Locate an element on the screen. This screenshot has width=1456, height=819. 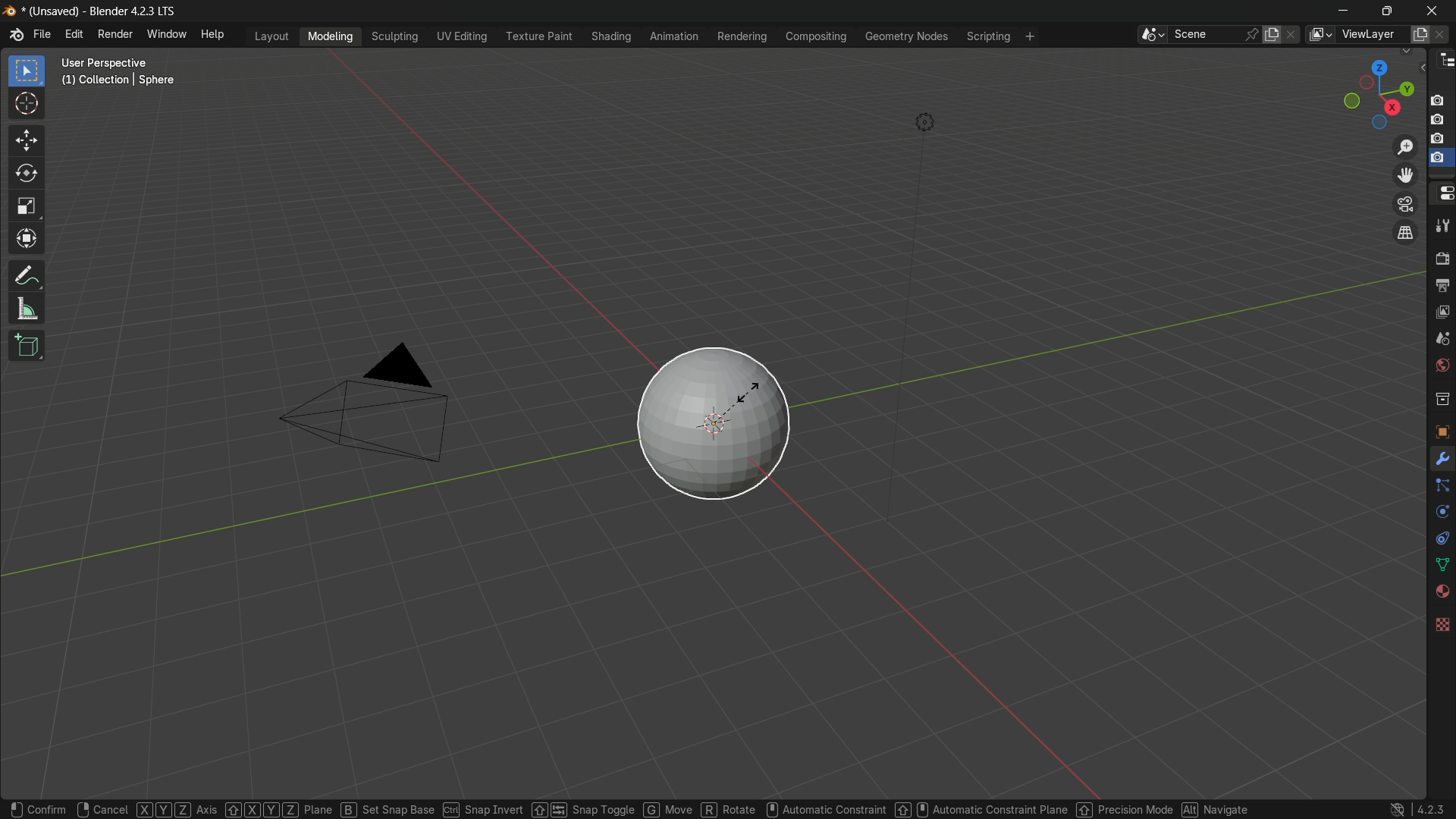
new scene is located at coordinates (1272, 34).